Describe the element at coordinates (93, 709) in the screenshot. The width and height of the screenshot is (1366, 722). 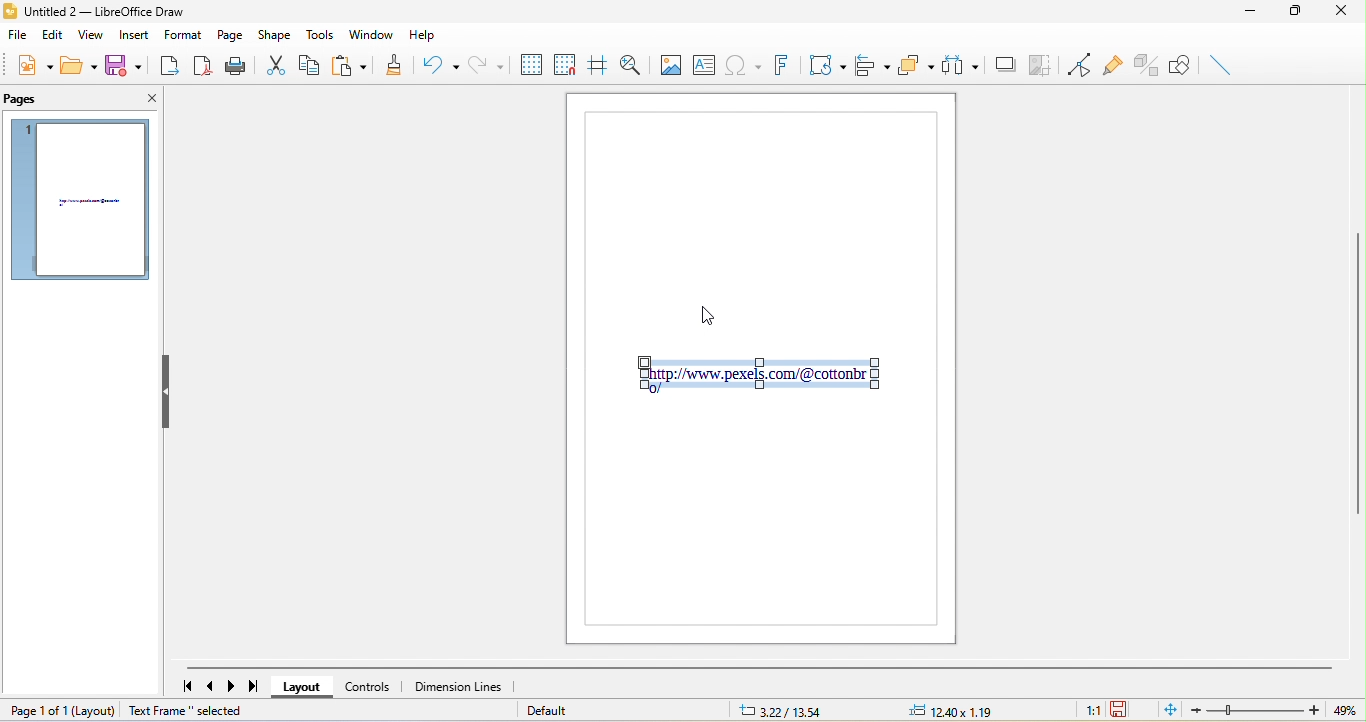
I see `layout` at that location.